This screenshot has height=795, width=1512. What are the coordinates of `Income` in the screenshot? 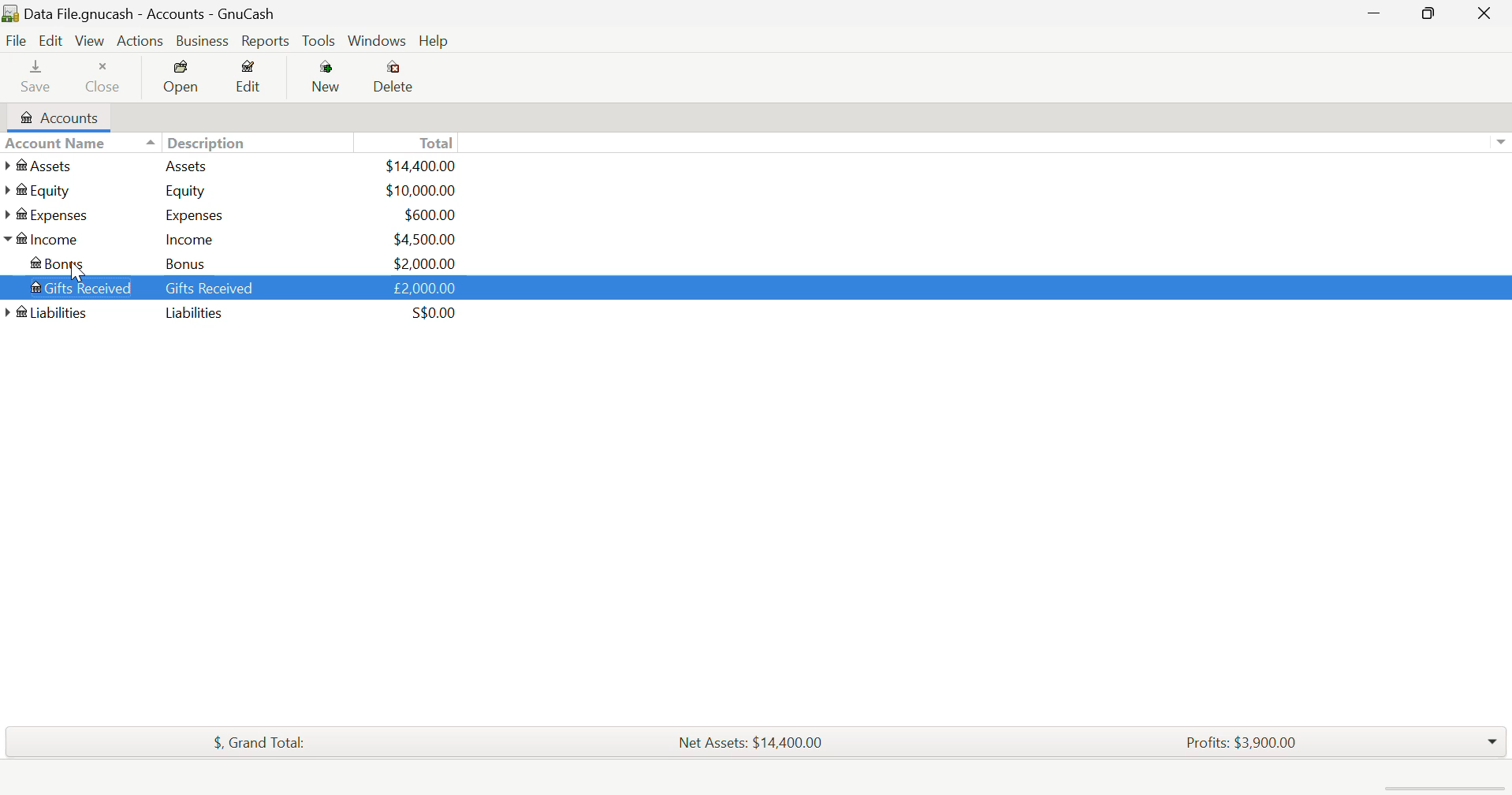 It's located at (47, 238).